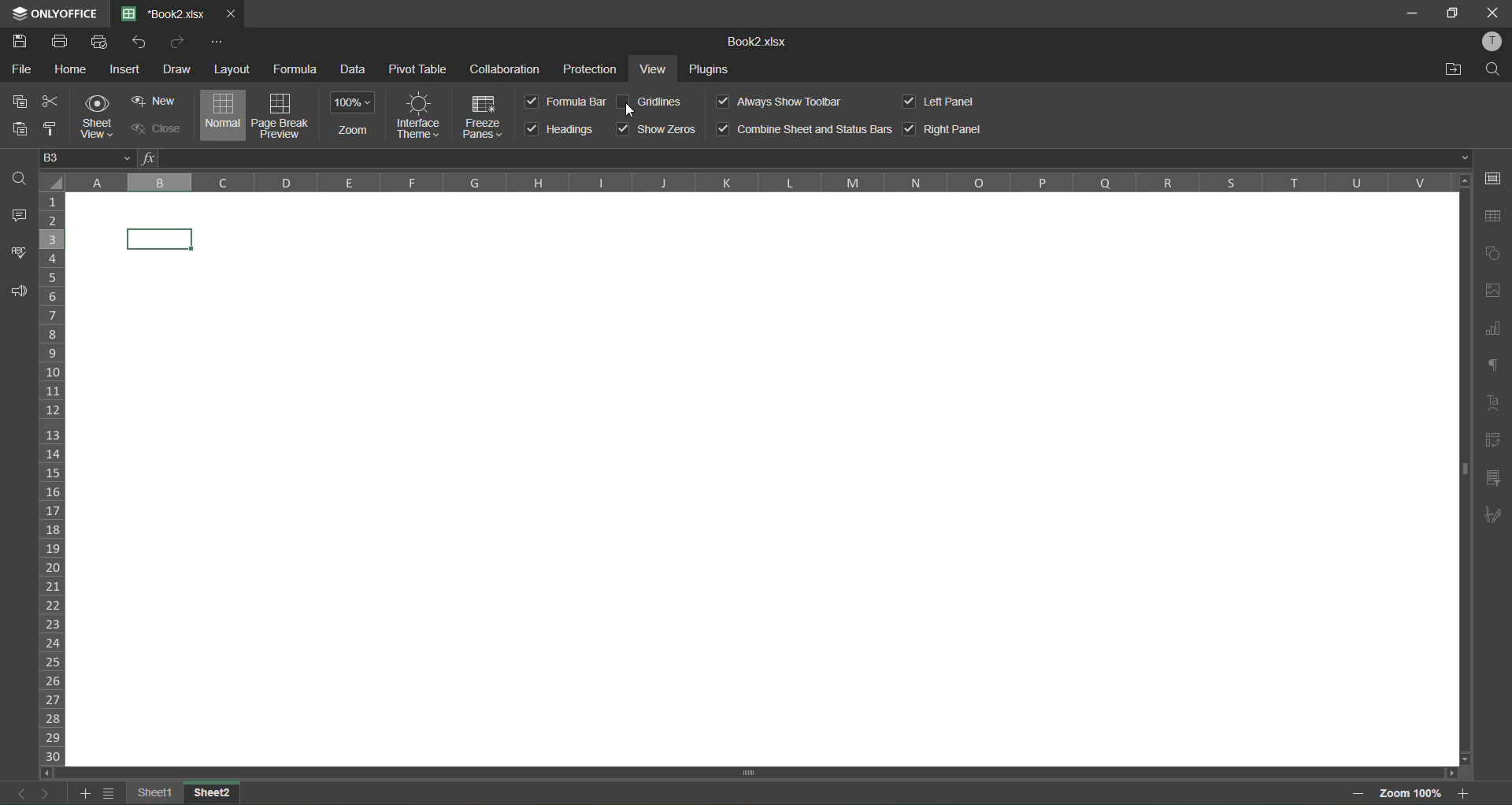  Describe the element at coordinates (1493, 253) in the screenshot. I see `shapes` at that location.